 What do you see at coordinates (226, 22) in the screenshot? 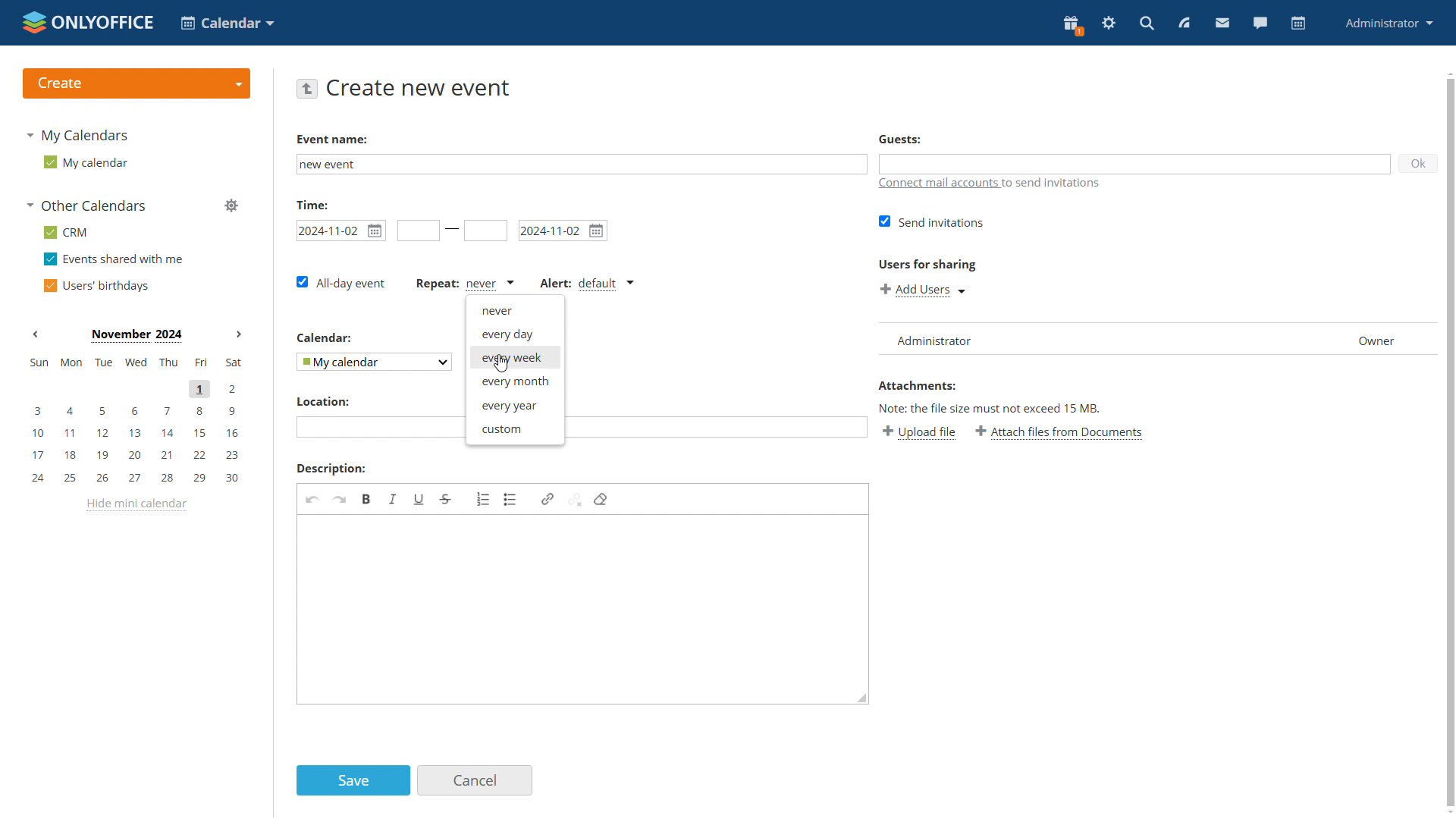
I see `select application` at bounding box center [226, 22].